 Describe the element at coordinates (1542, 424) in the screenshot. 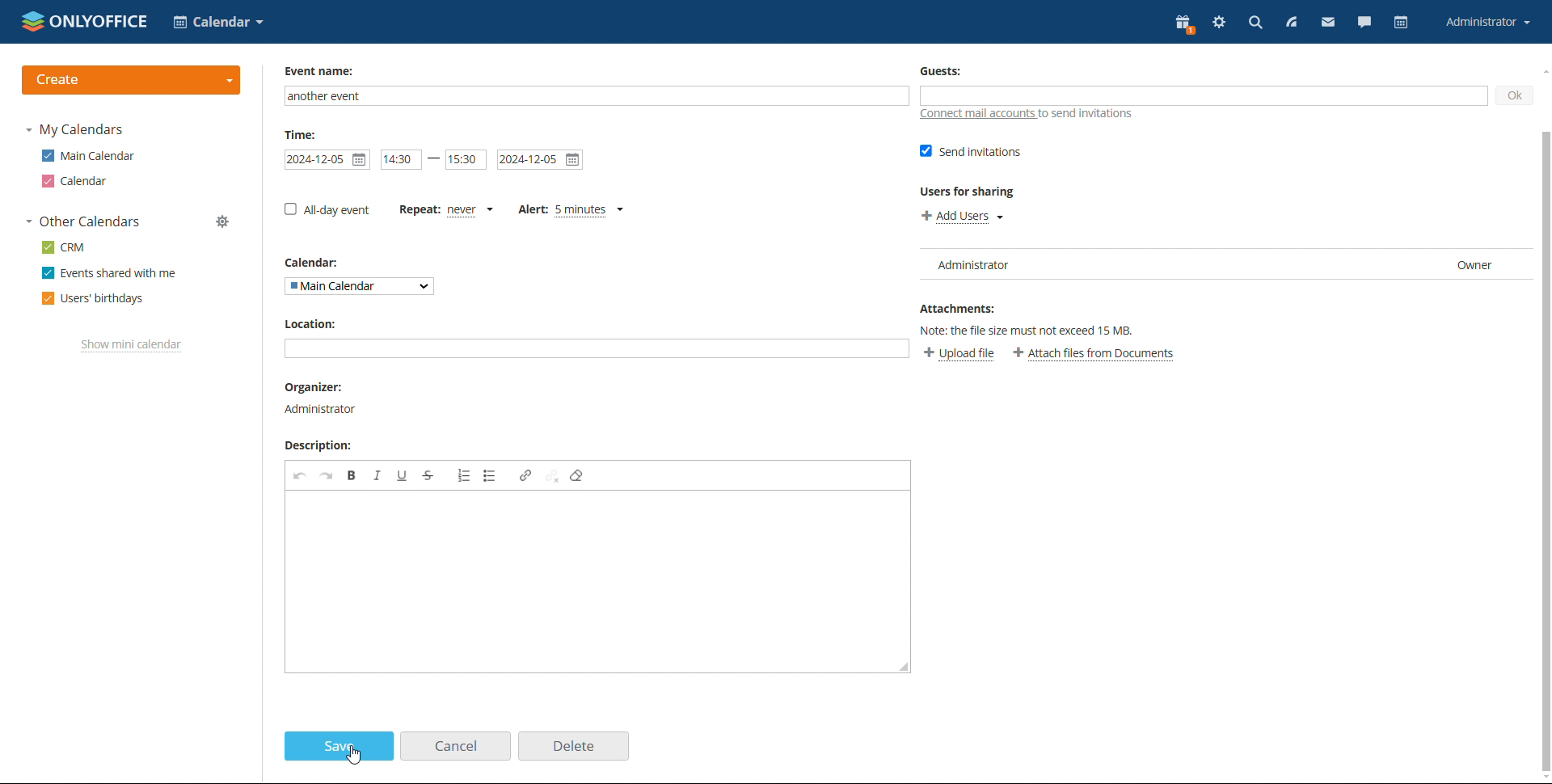

I see `scroll bar` at that location.